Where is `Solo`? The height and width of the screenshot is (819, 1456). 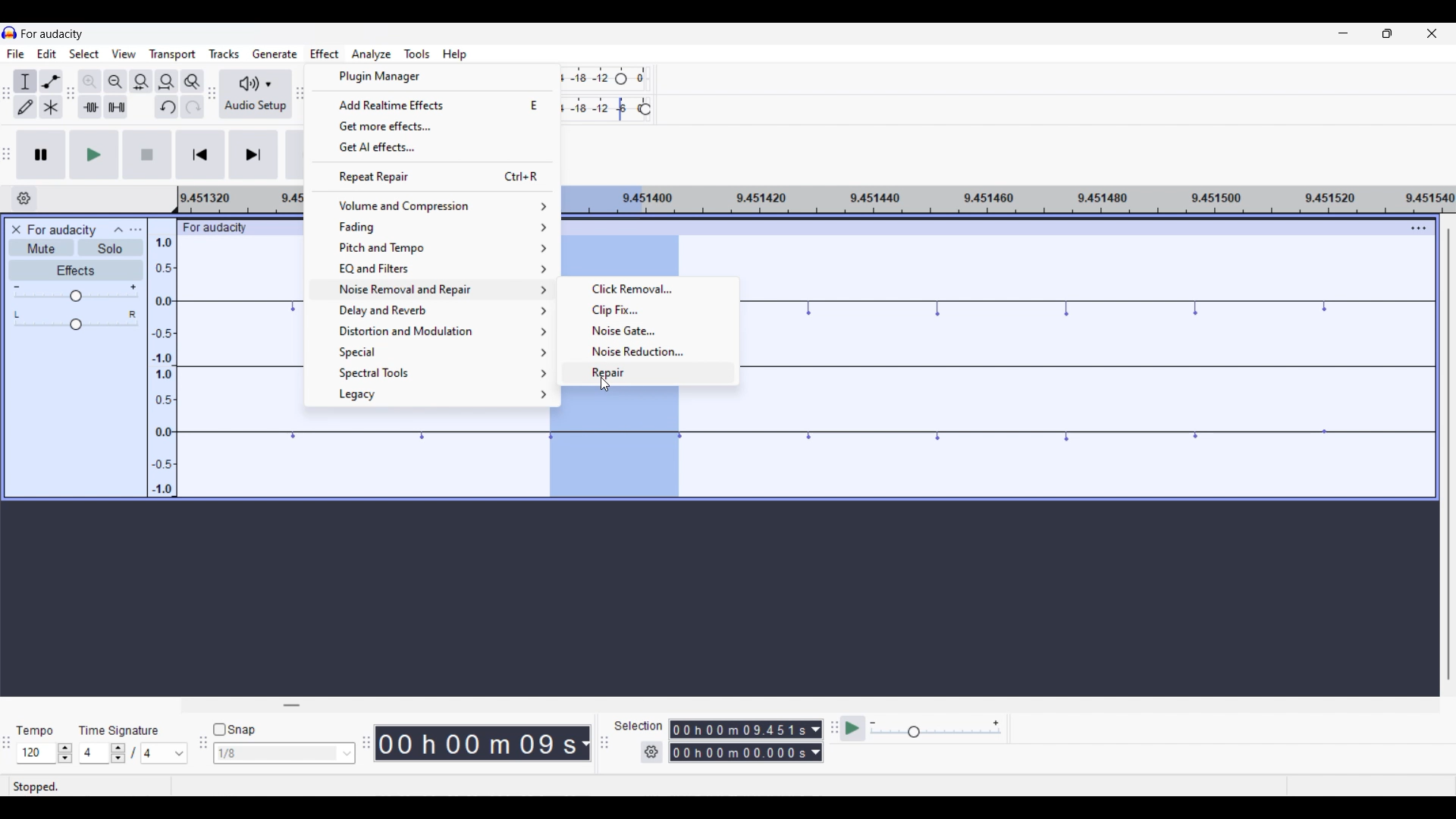 Solo is located at coordinates (110, 247).